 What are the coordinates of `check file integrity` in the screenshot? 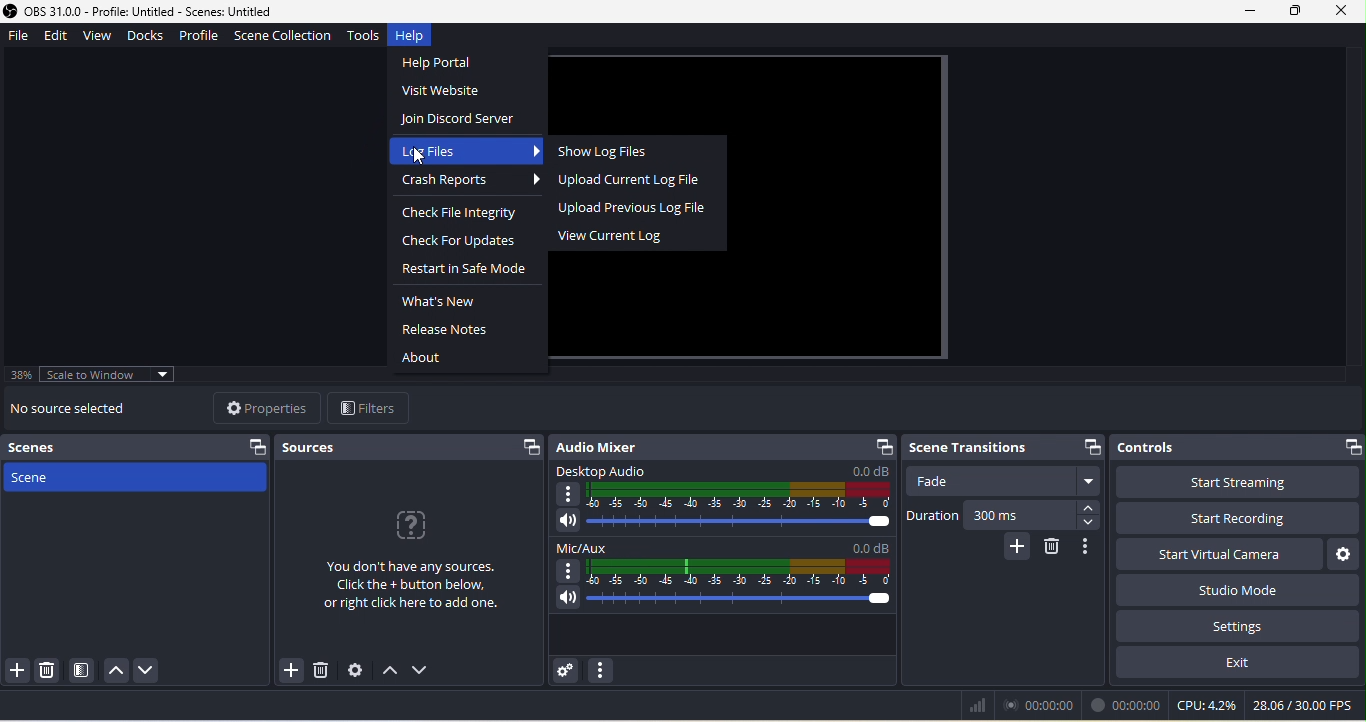 It's located at (471, 215).